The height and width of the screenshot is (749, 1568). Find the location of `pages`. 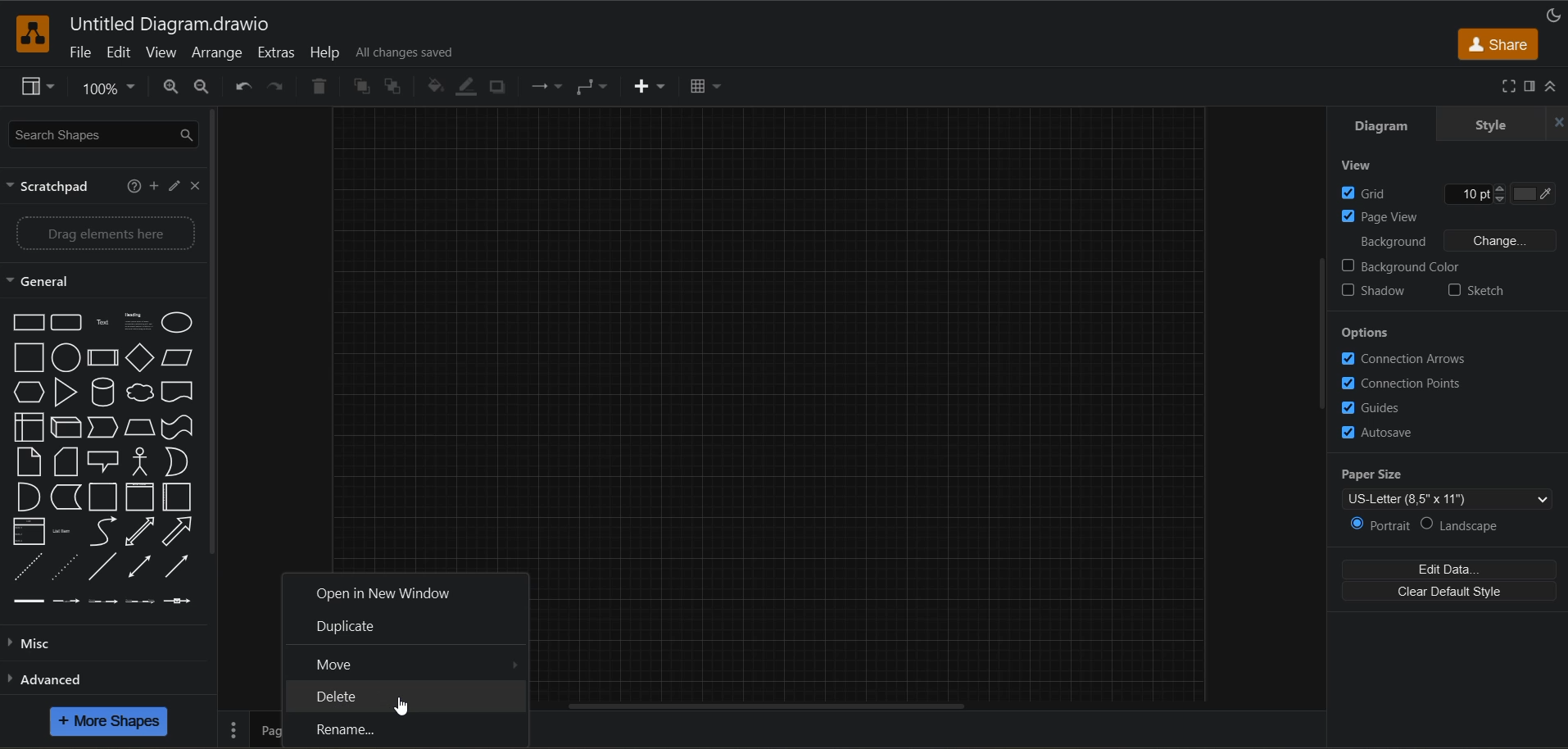

pages is located at coordinates (233, 729).